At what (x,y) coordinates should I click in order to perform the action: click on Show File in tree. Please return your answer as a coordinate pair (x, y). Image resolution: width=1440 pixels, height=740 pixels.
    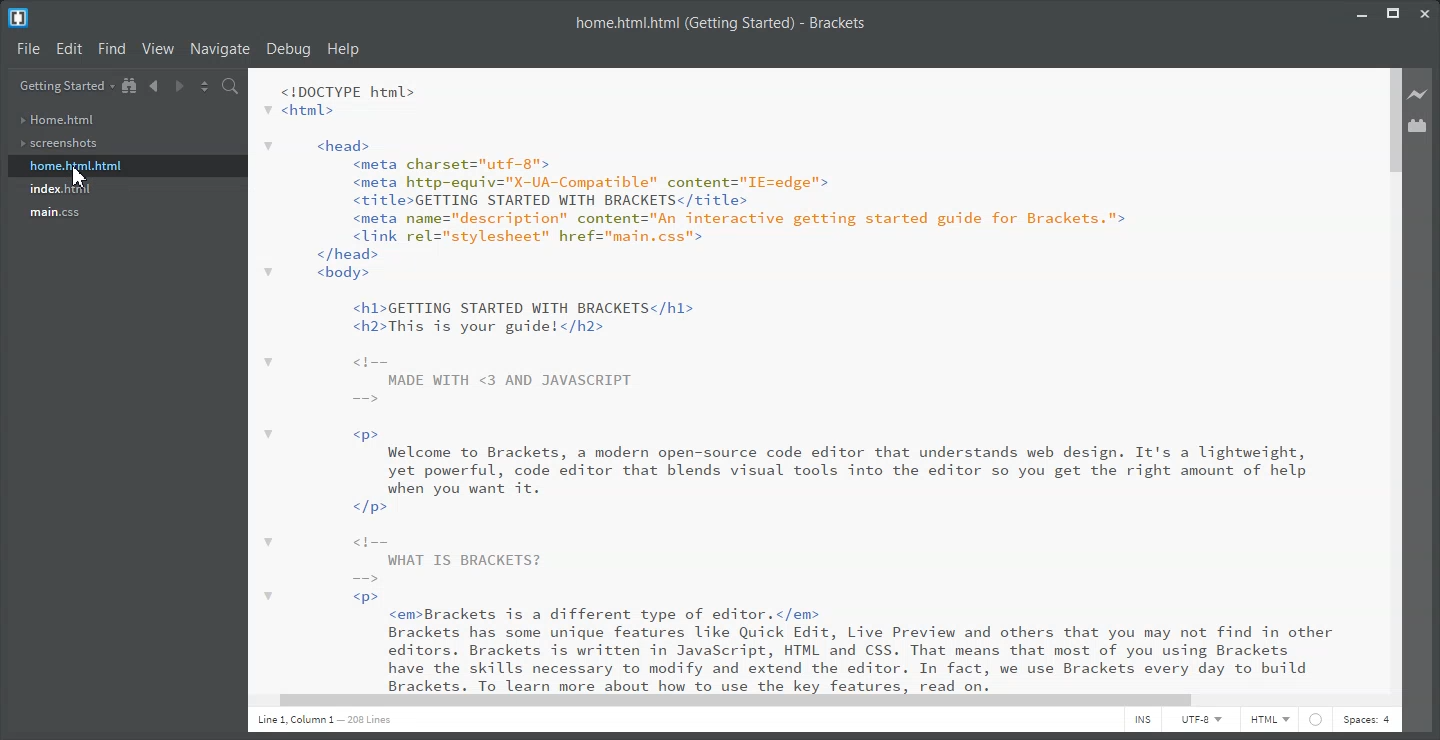
    Looking at the image, I should click on (130, 86).